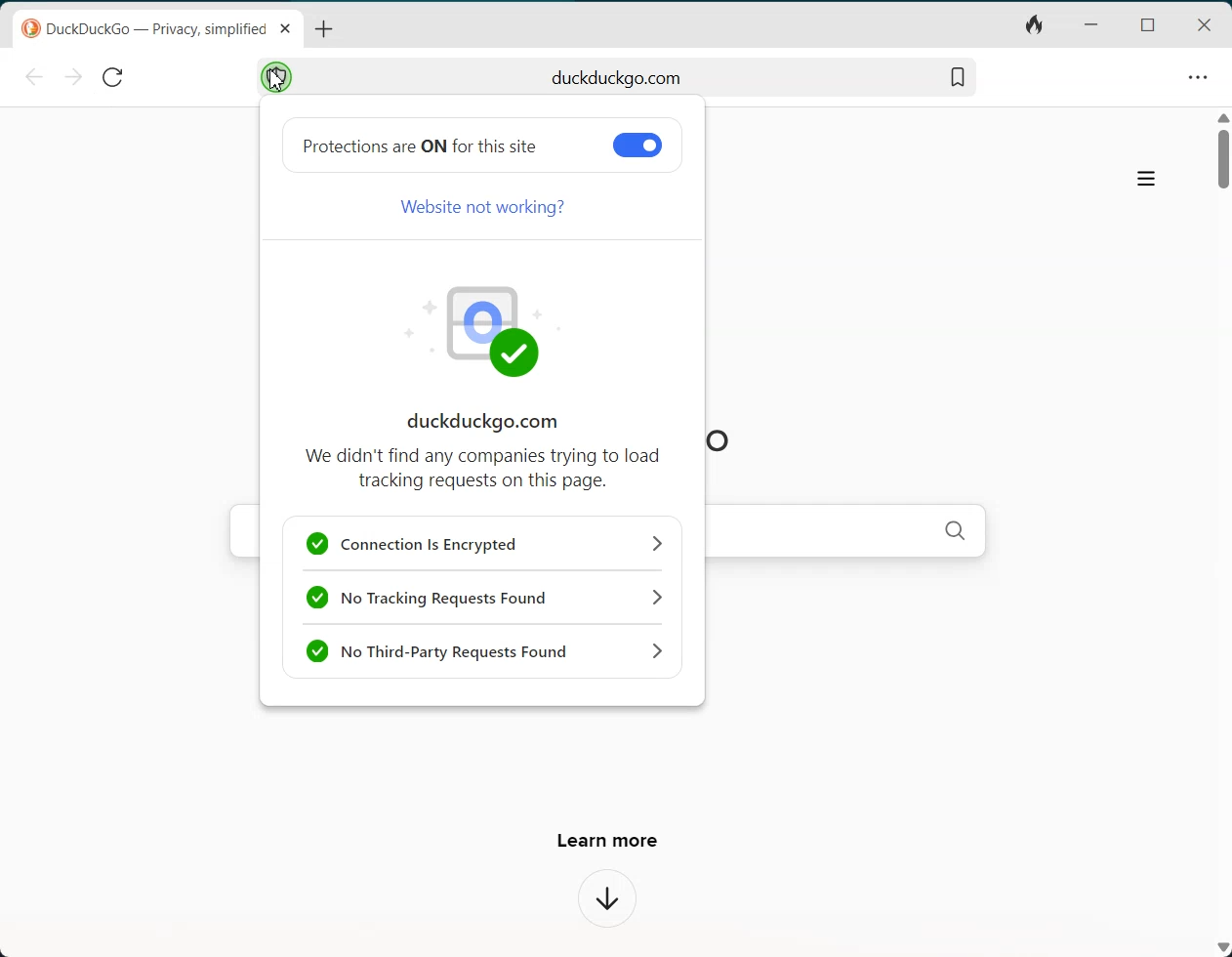  I want to click on add new tab, so click(324, 30).